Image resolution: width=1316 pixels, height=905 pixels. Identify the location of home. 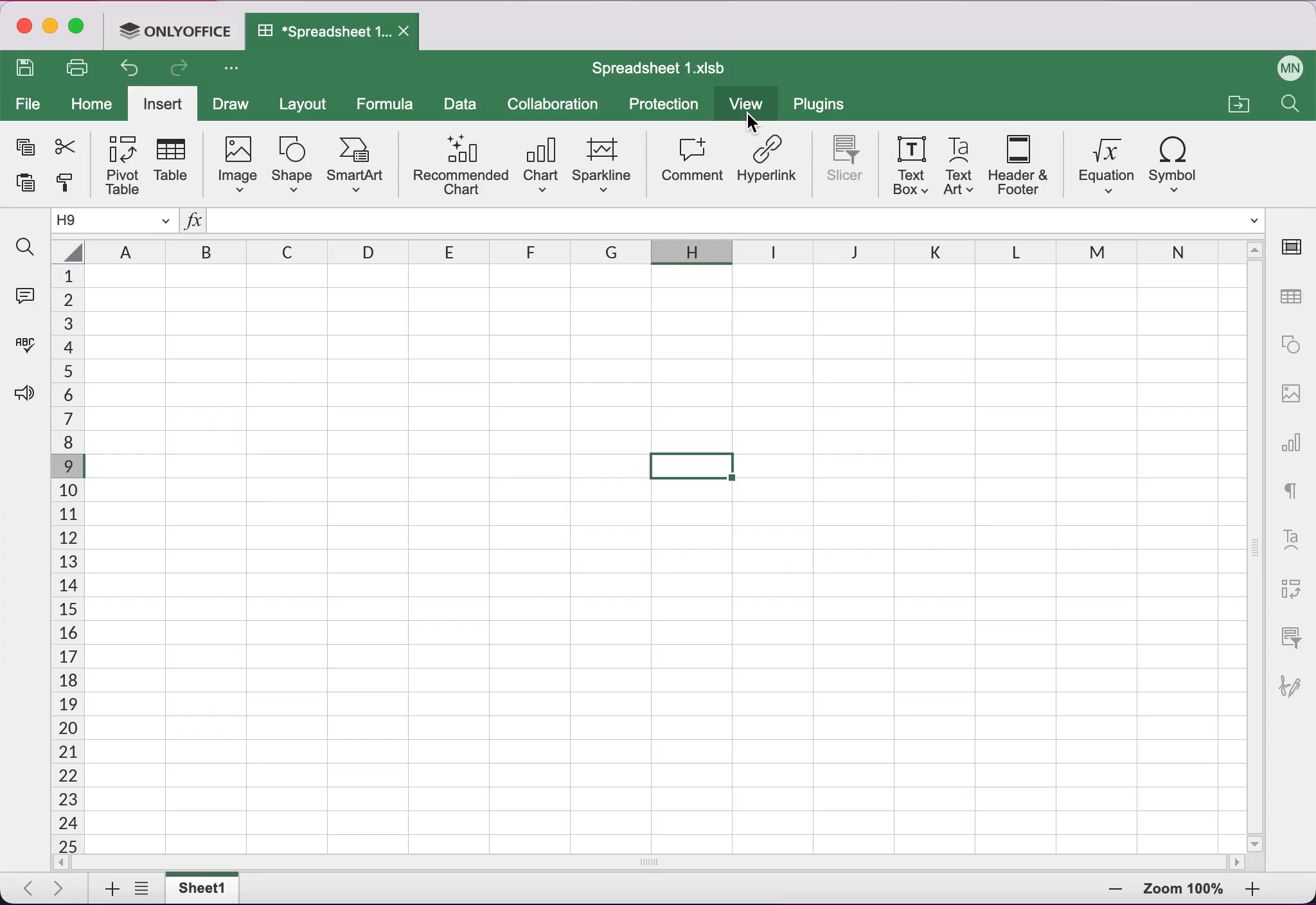
(92, 103).